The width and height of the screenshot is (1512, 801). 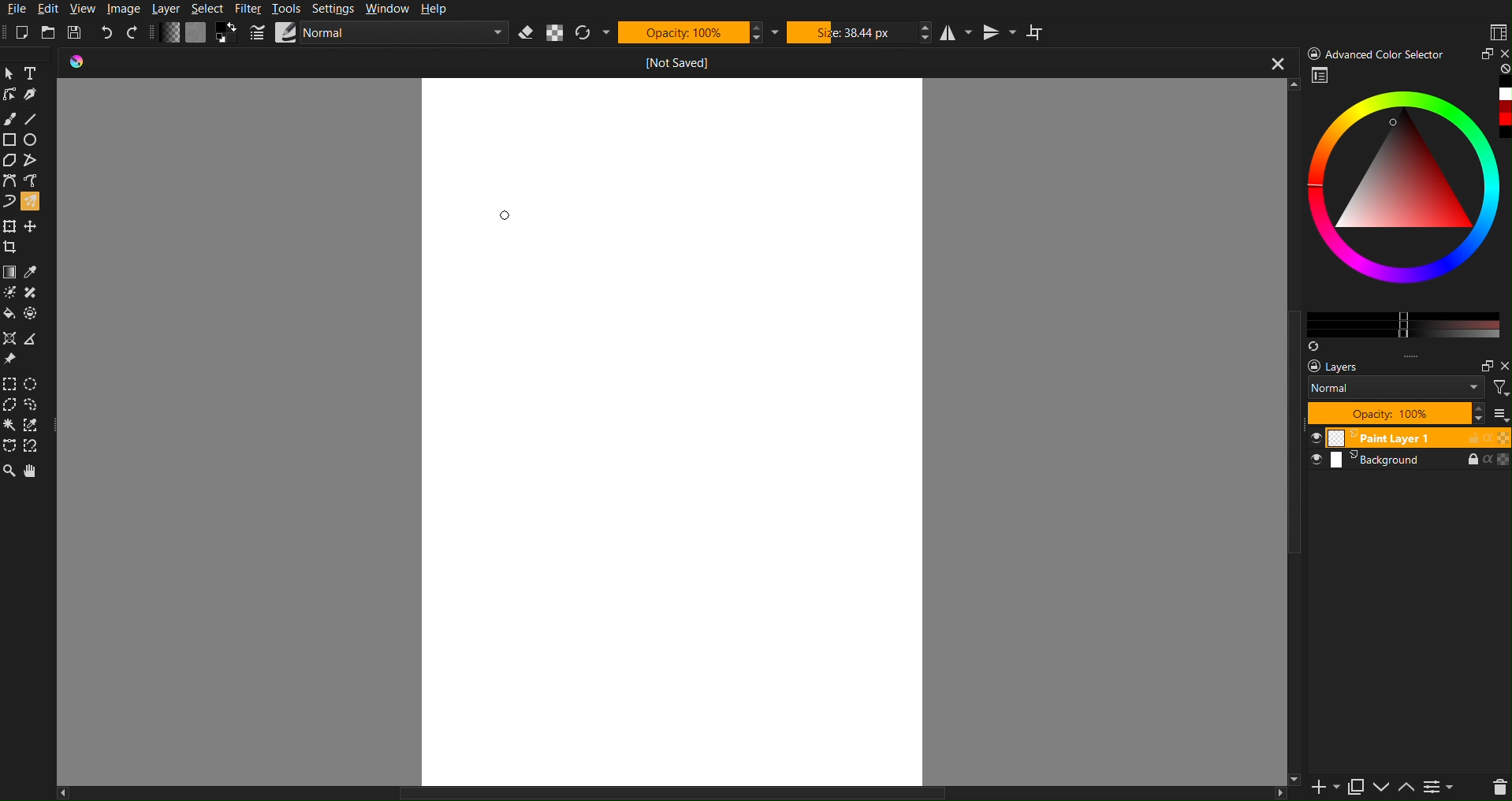 I want to click on Measure Tool, so click(x=35, y=339).